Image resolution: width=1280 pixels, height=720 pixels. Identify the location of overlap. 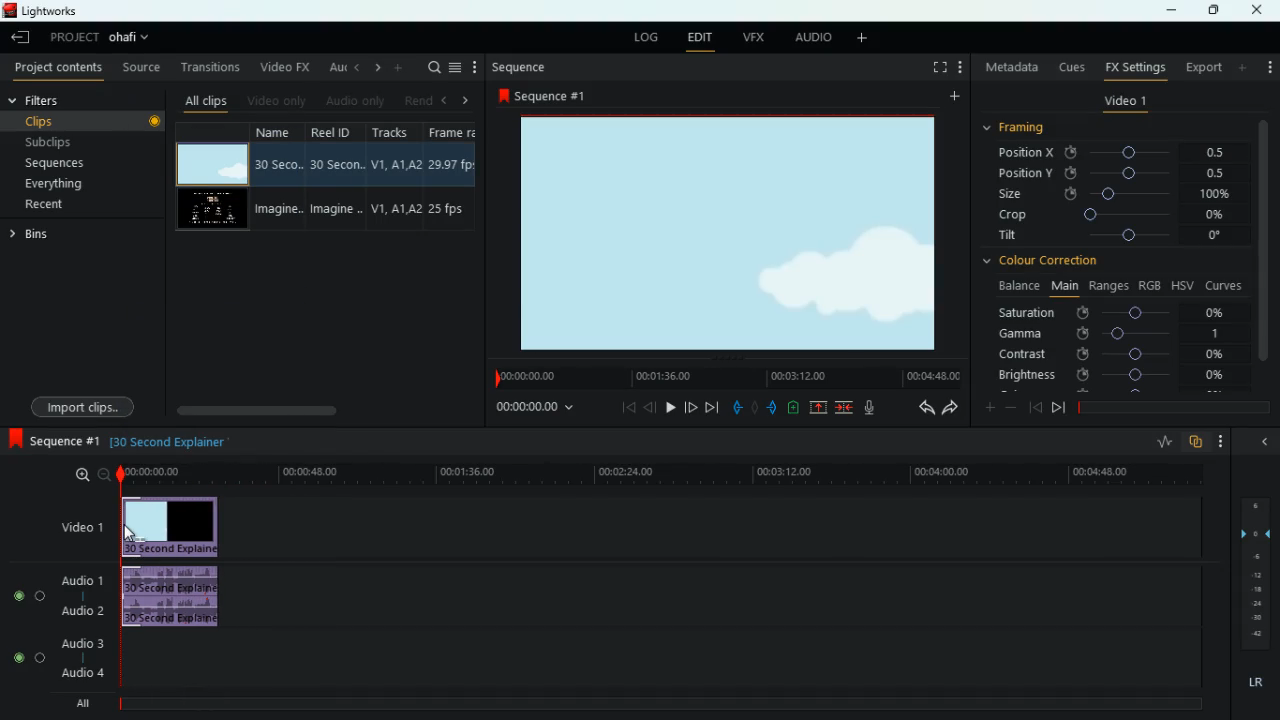
(1194, 444).